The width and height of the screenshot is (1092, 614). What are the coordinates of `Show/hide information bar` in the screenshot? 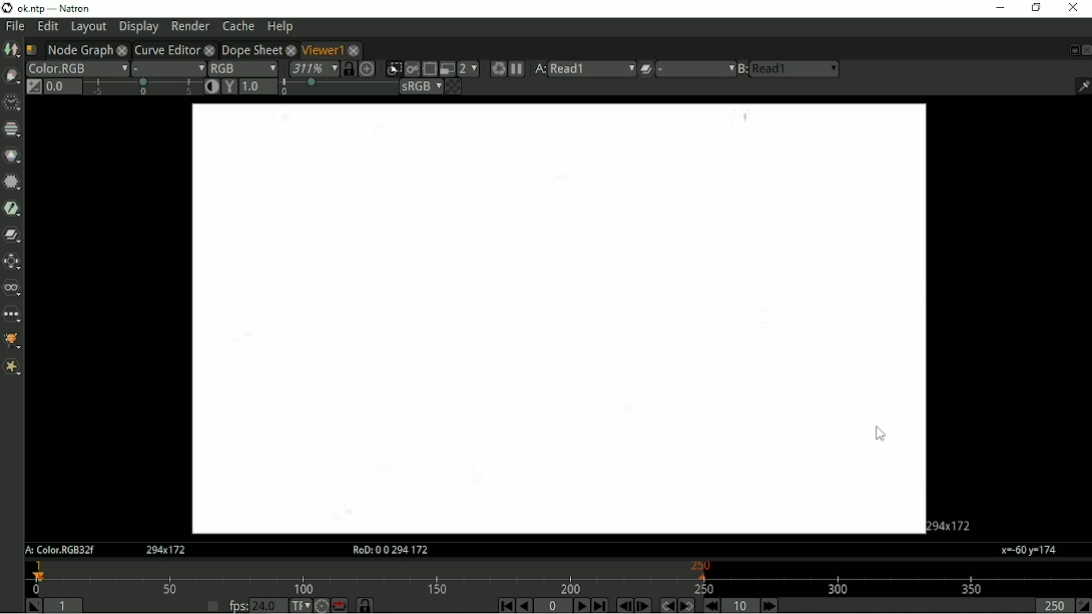 It's located at (1082, 87).